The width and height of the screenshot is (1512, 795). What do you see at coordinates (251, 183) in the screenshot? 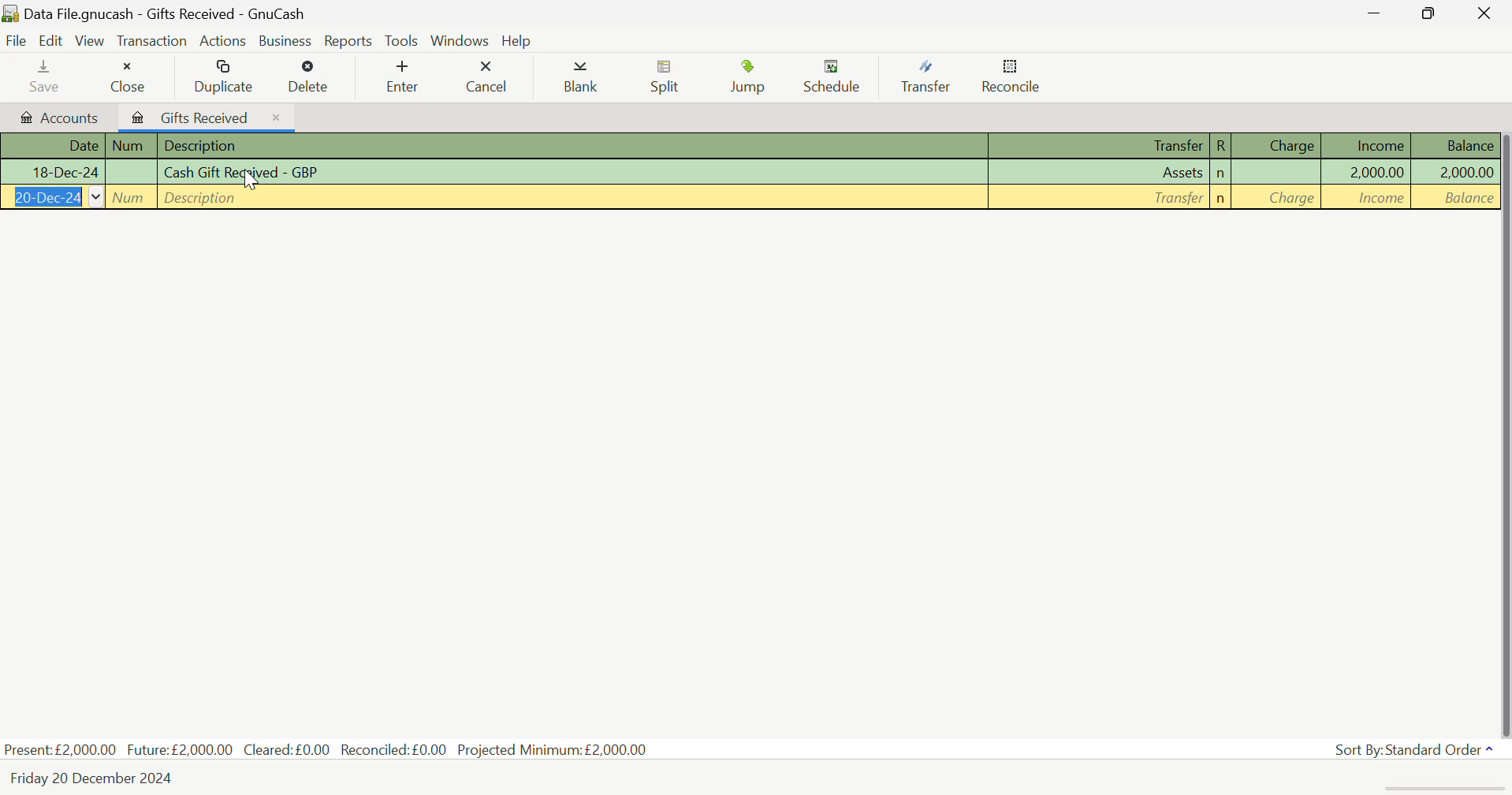
I see `Cursor on Cash Gift Transaction` at bounding box center [251, 183].